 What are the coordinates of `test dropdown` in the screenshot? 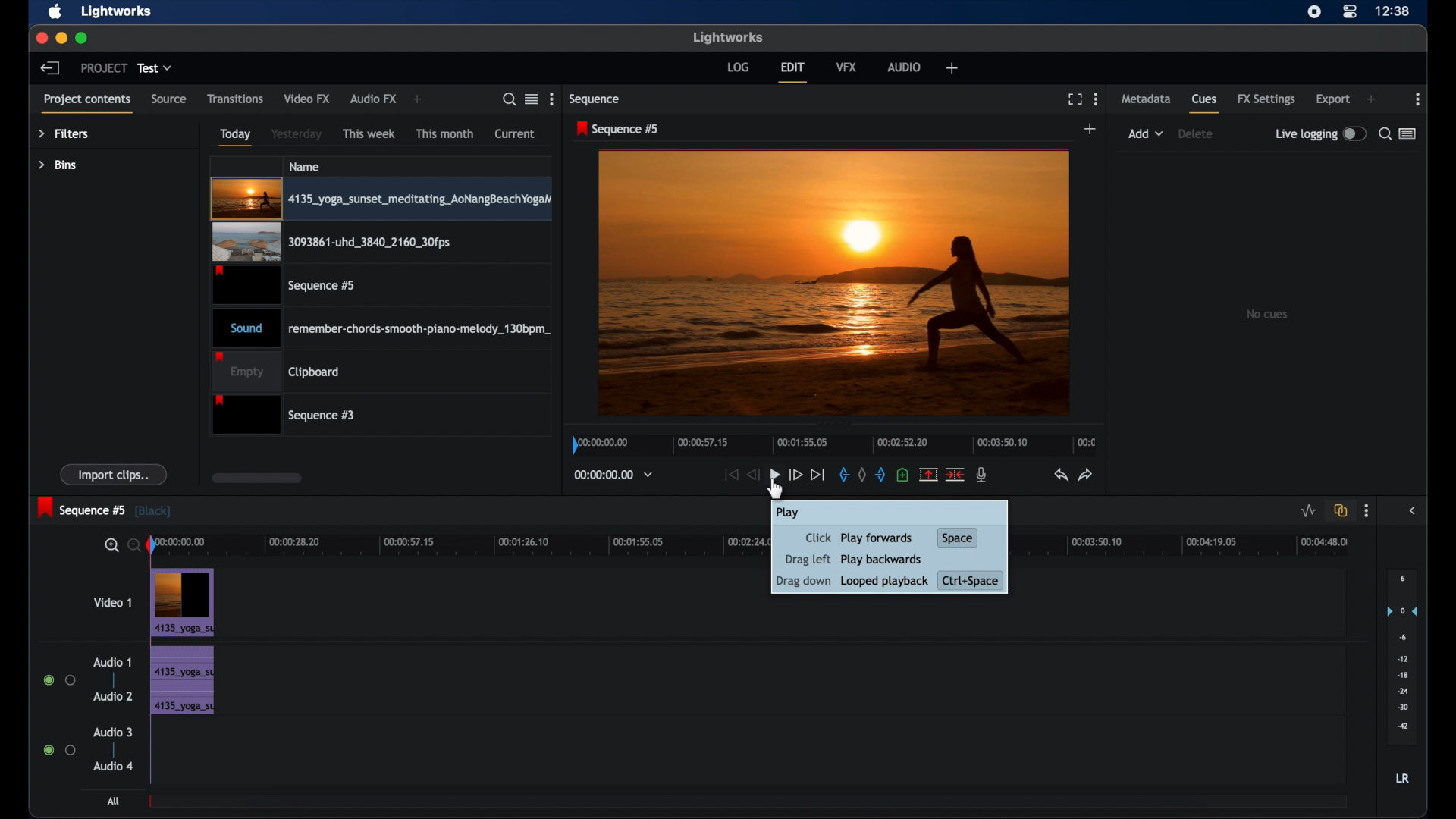 It's located at (155, 67).